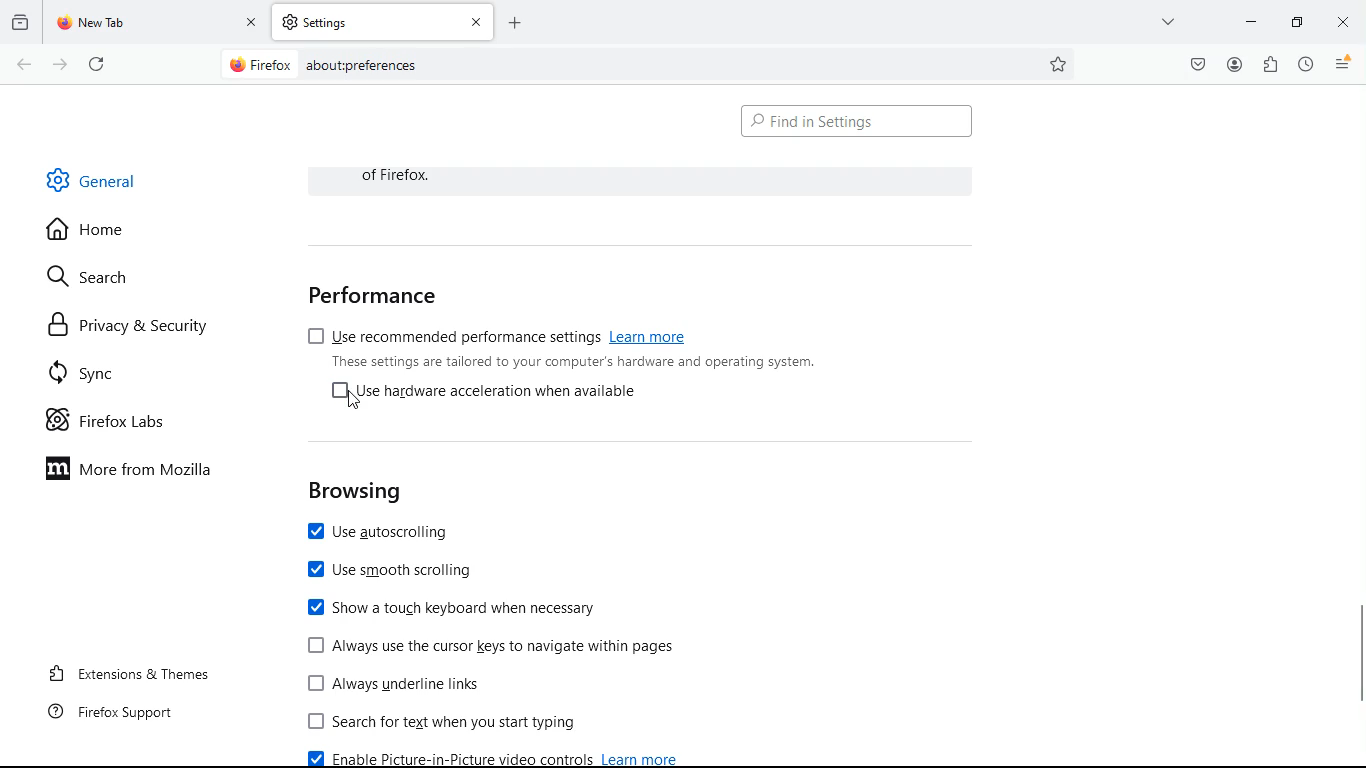 The height and width of the screenshot is (768, 1366). What do you see at coordinates (386, 531) in the screenshot?
I see `use autoscrolling` at bounding box center [386, 531].